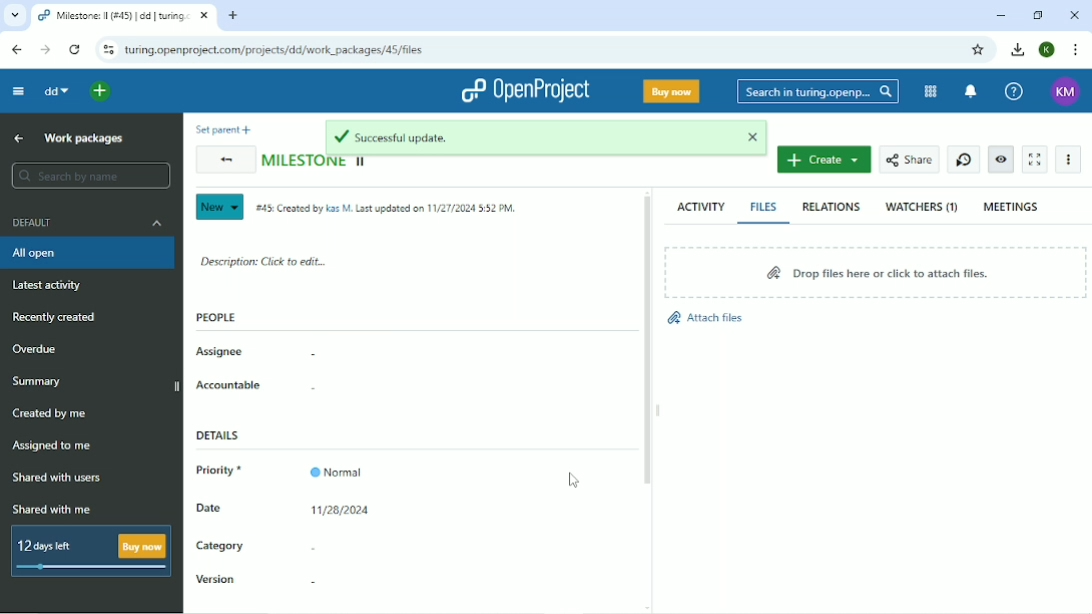 This screenshot has width=1092, height=614. What do you see at coordinates (548, 138) in the screenshot?
I see `Successful update` at bounding box center [548, 138].